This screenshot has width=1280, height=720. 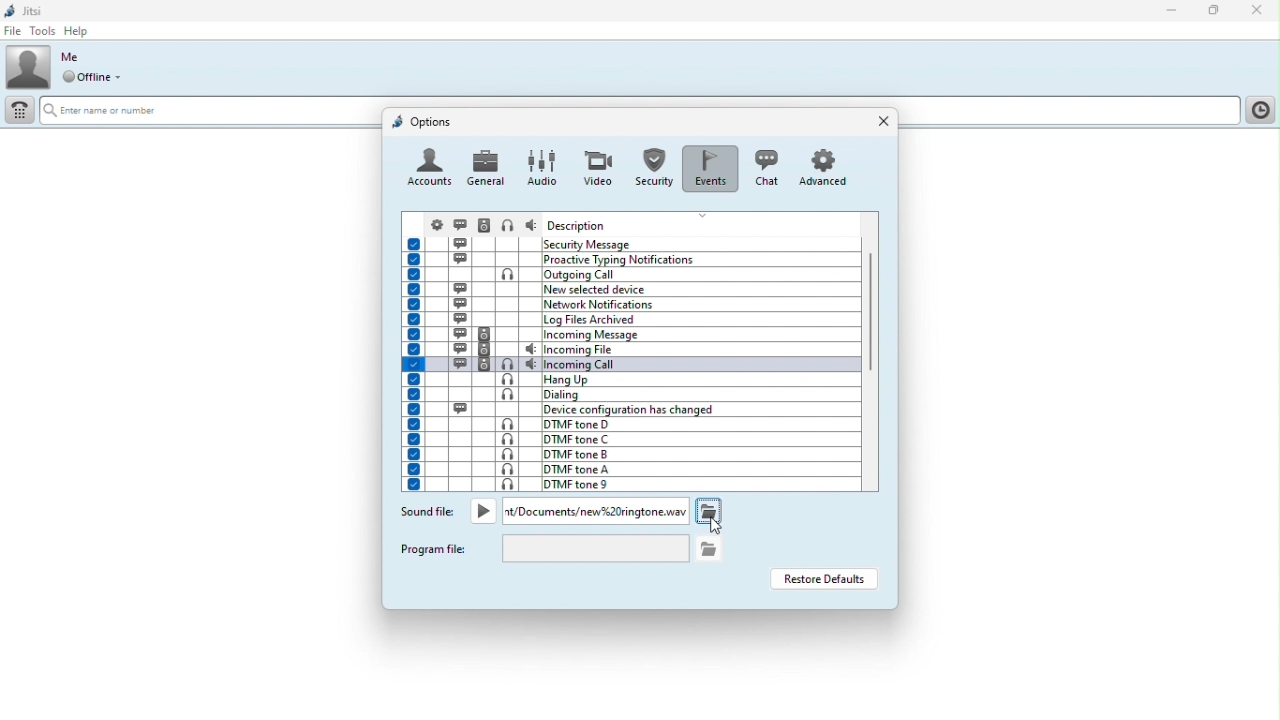 I want to click on Play button, so click(x=484, y=511).